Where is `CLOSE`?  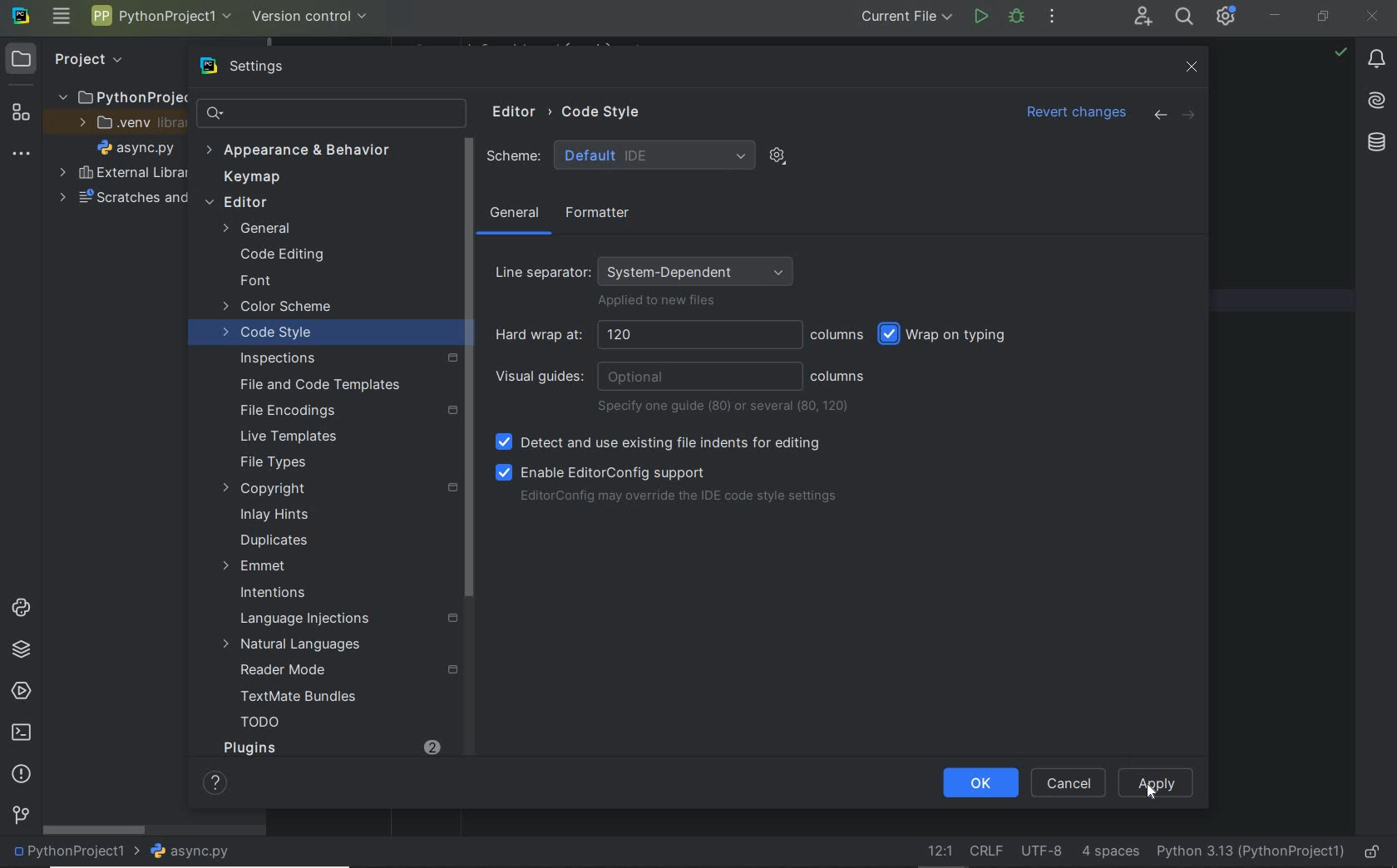
CLOSE is located at coordinates (1373, 15).